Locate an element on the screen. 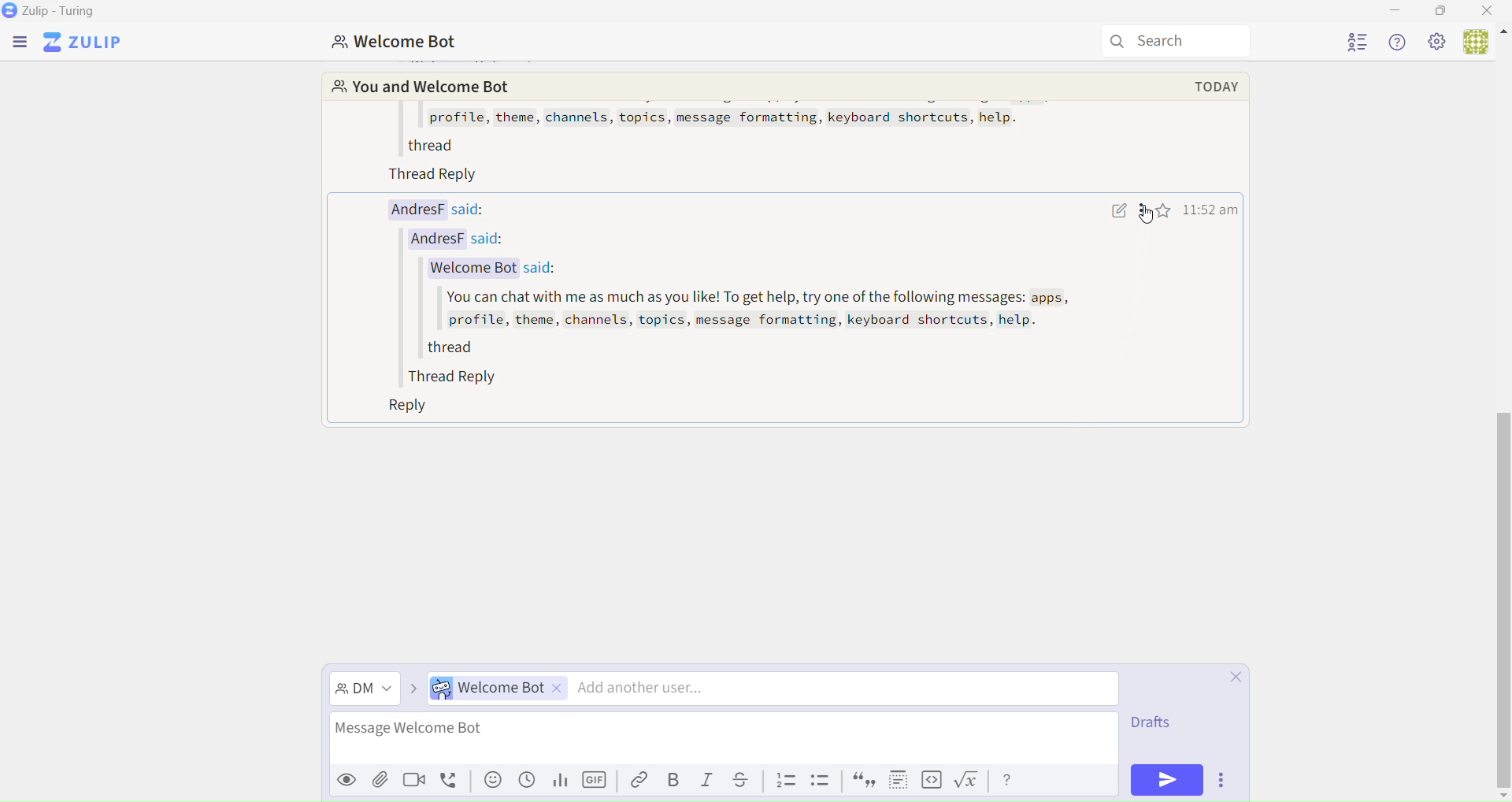 This screenshot has width=1512, height=802. voicecall is located at coordinates (453, 783).